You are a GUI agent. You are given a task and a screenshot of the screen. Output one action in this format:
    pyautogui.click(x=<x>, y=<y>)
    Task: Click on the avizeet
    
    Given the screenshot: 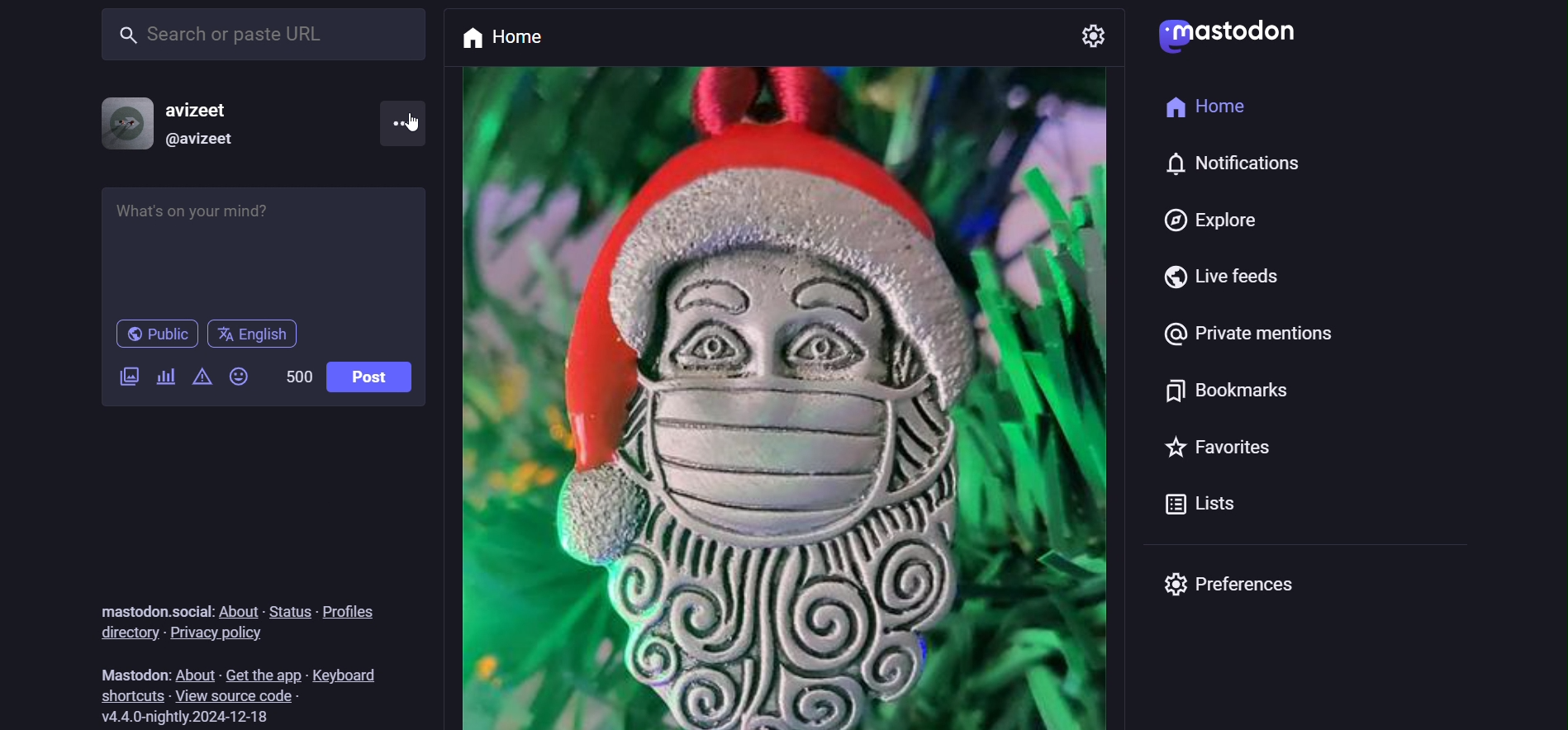 What is the action you would take?
    pyautogui.click(x=222, y=111)
    